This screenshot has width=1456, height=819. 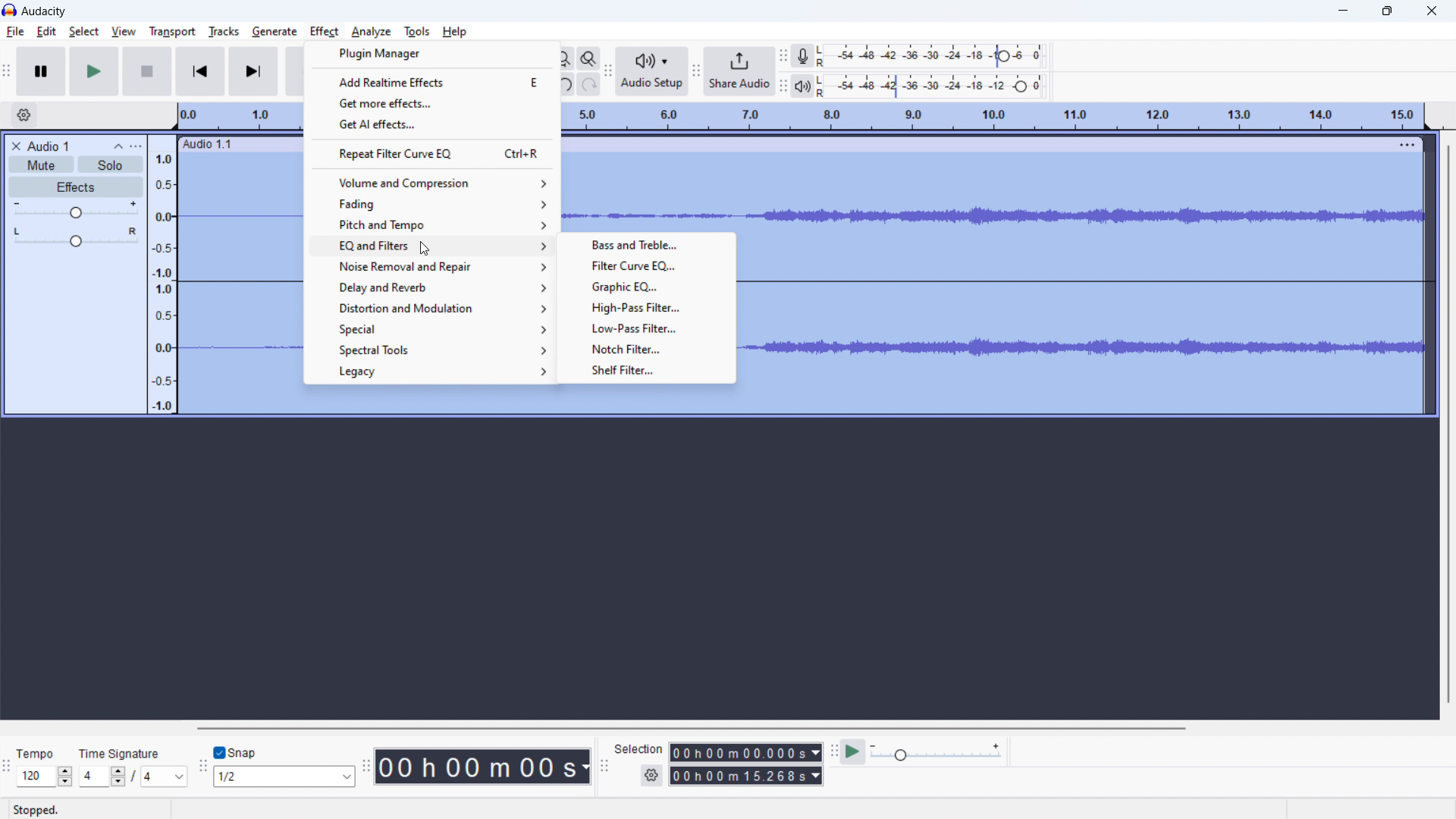 I want to click on collapse, so click(x=119, y=147).